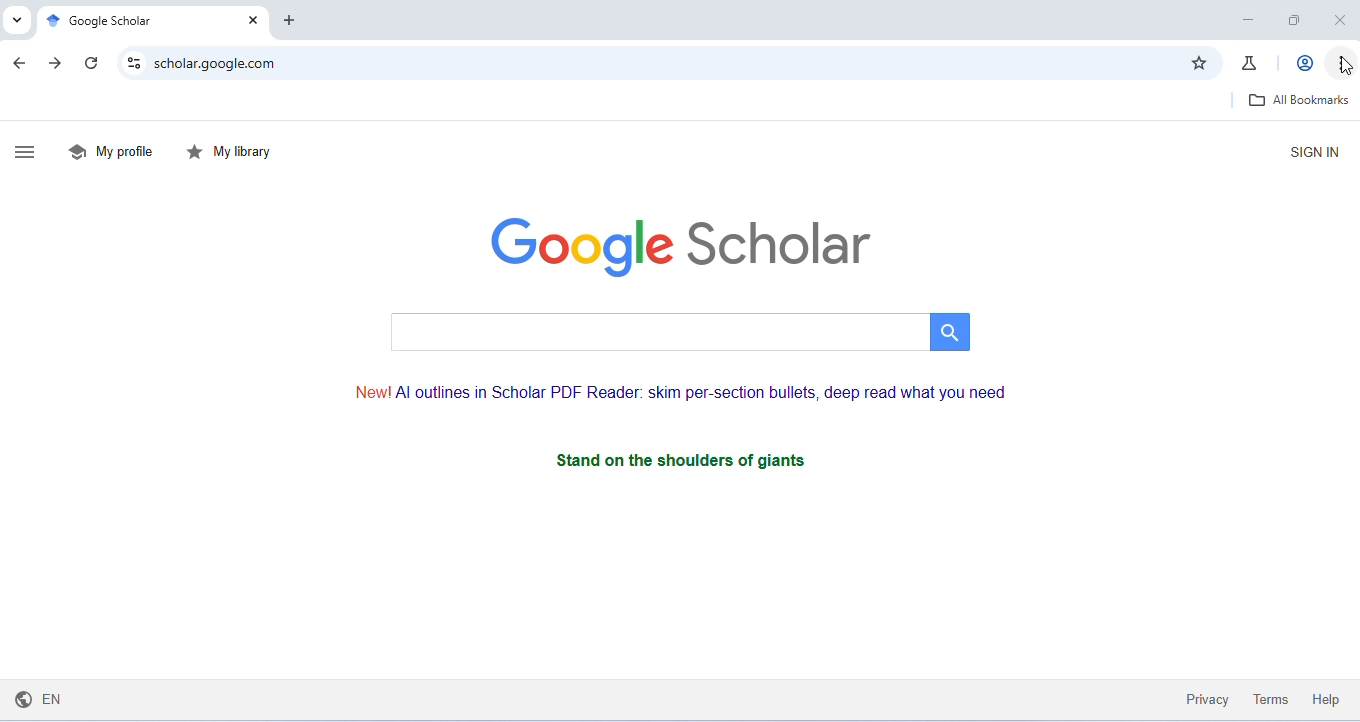 The height and width of the screenshot is (722, 1360). I want to click on my library, so click(230, 152).